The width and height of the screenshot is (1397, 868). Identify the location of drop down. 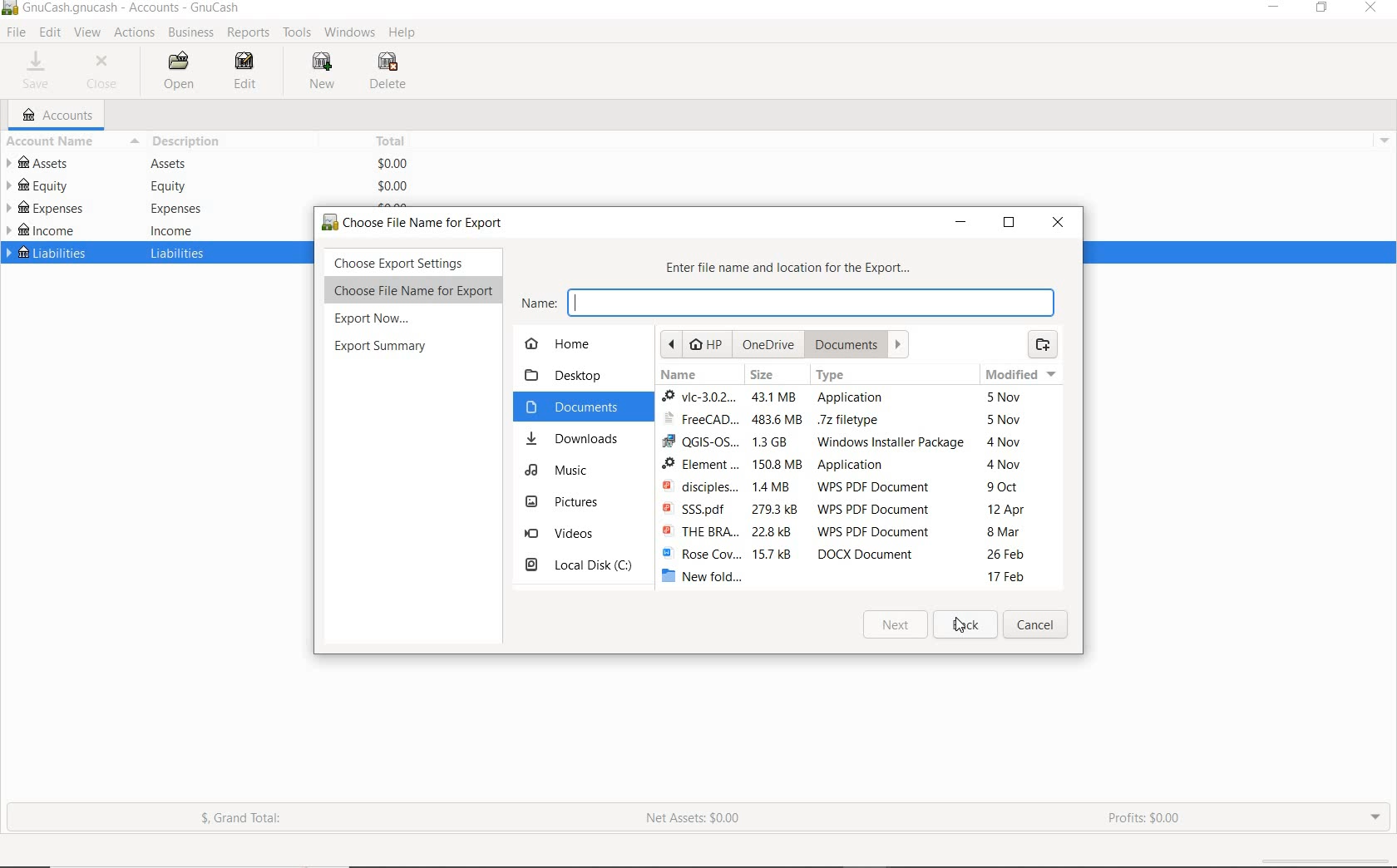
(1386, 140).